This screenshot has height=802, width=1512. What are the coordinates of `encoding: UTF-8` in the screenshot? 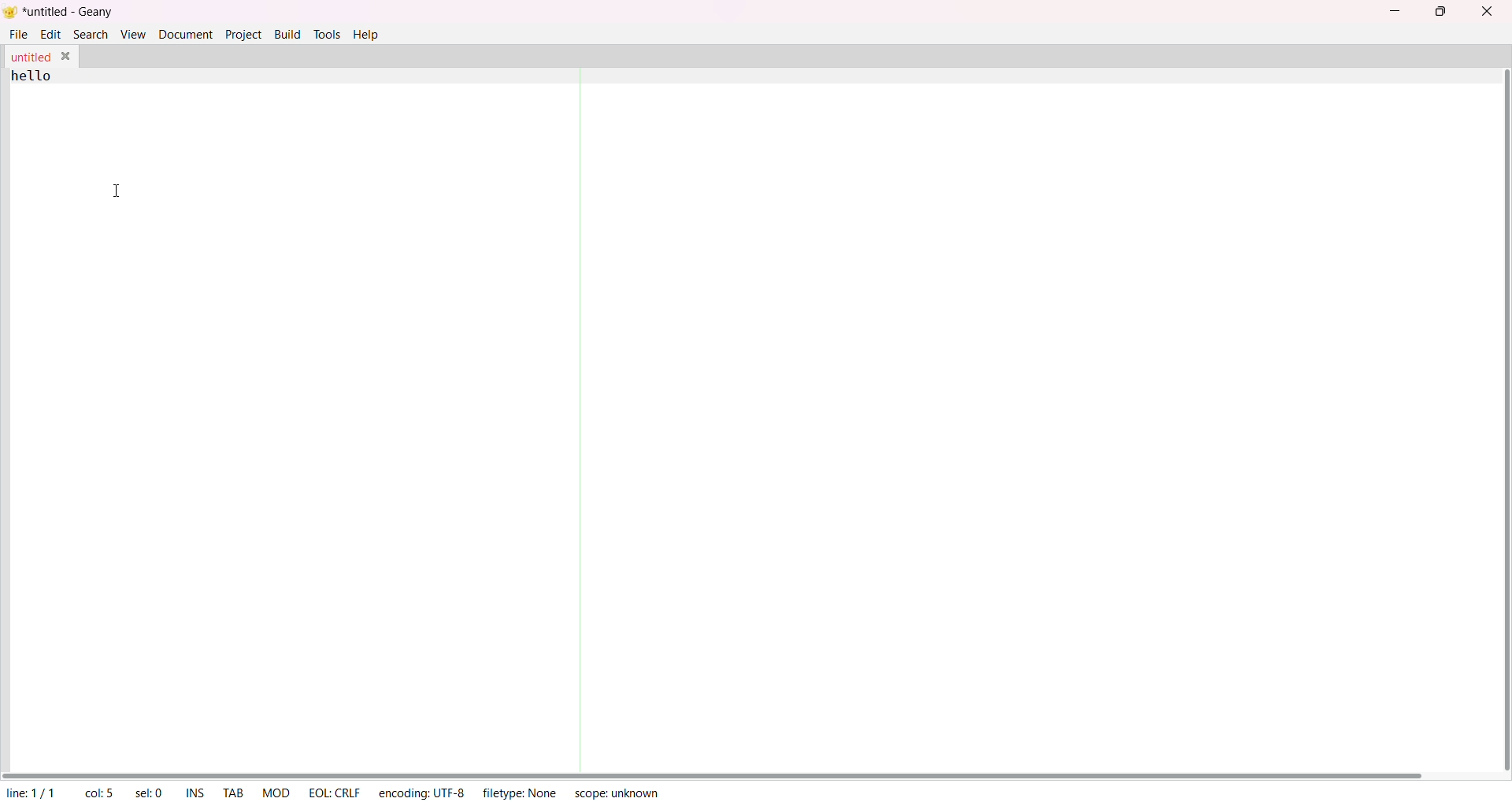 It's located at (421, 793).